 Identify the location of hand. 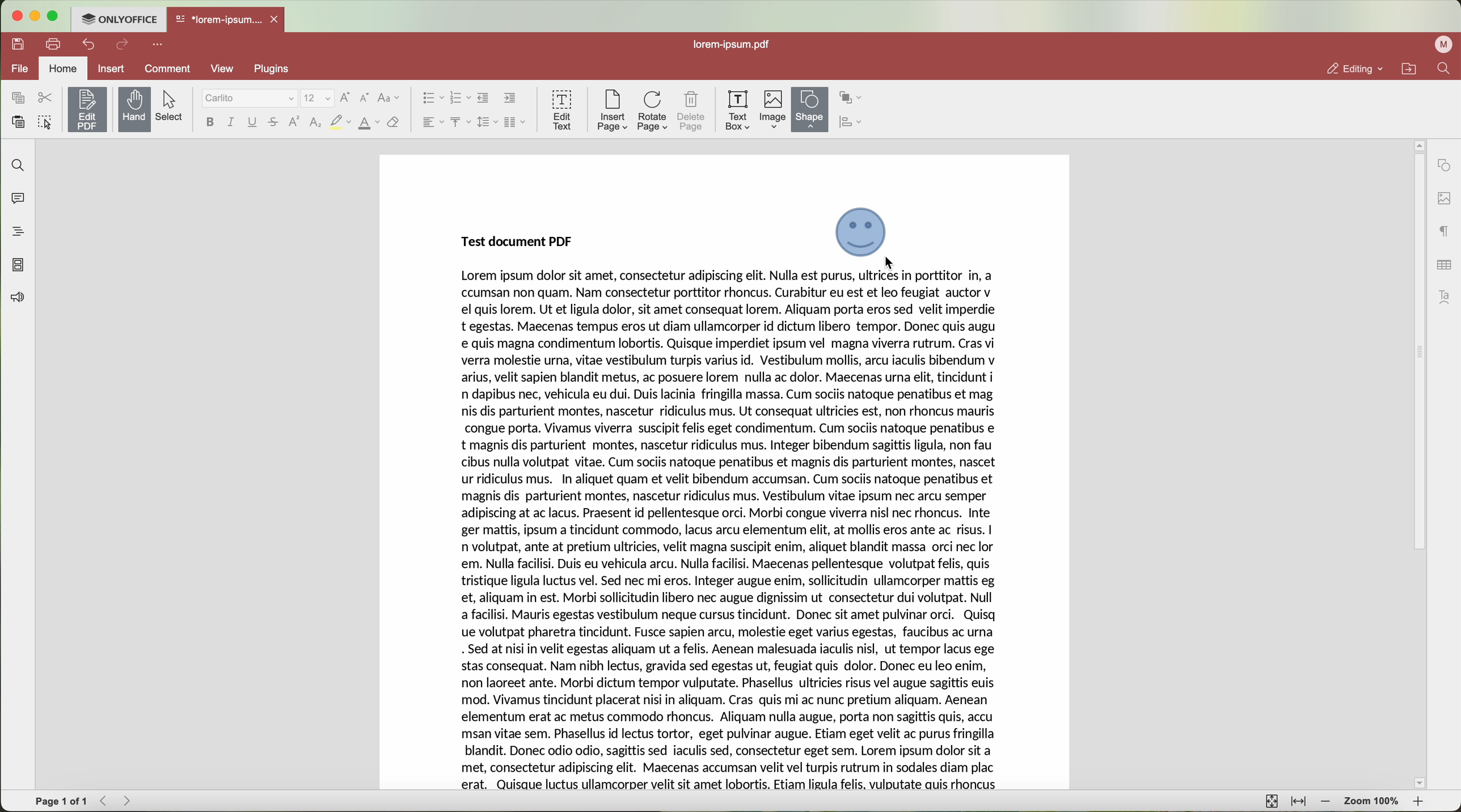
(134, 109).